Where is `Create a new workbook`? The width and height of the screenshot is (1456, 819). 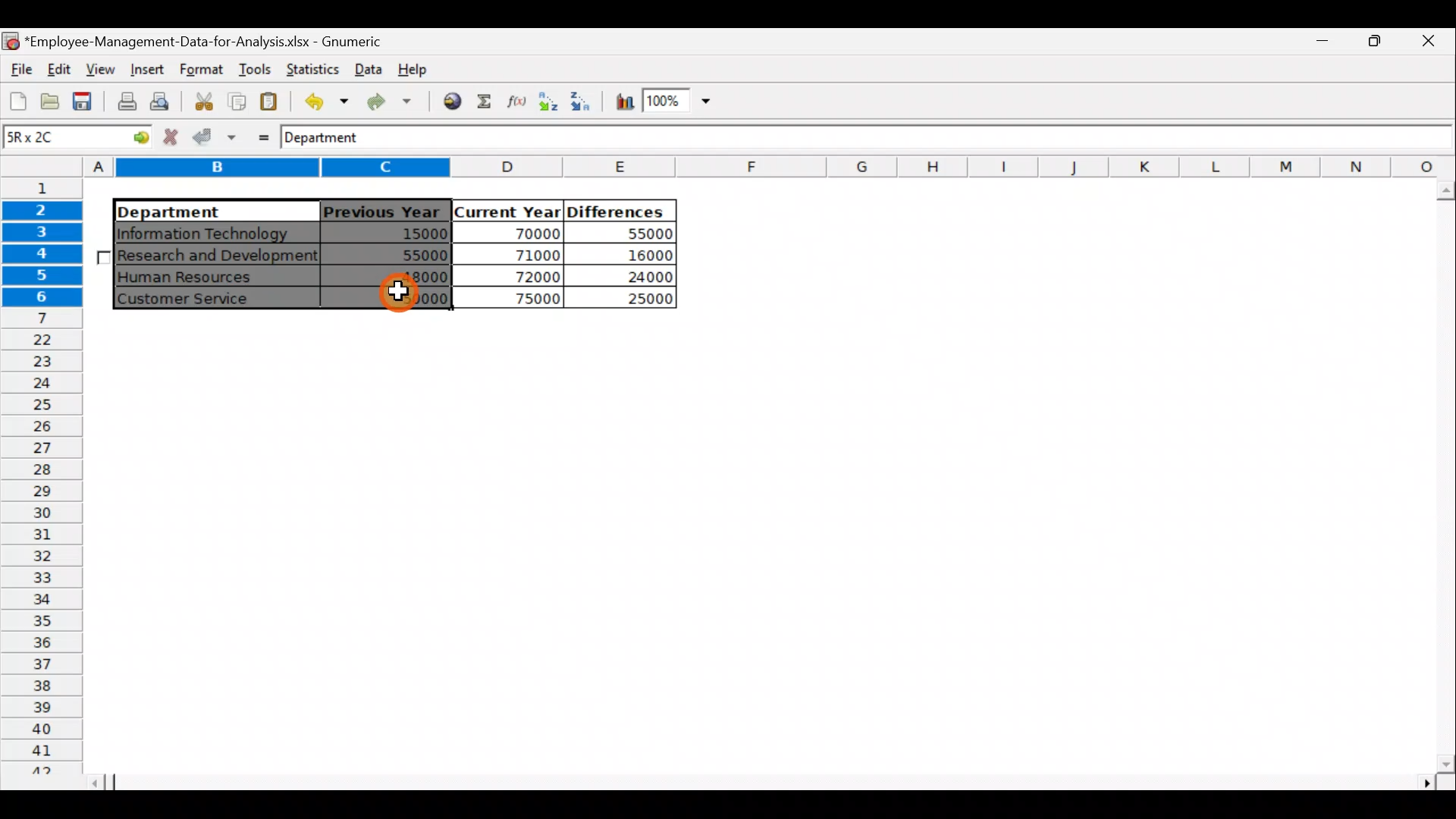 Create a new workbook is located at coordinates (18, 101).